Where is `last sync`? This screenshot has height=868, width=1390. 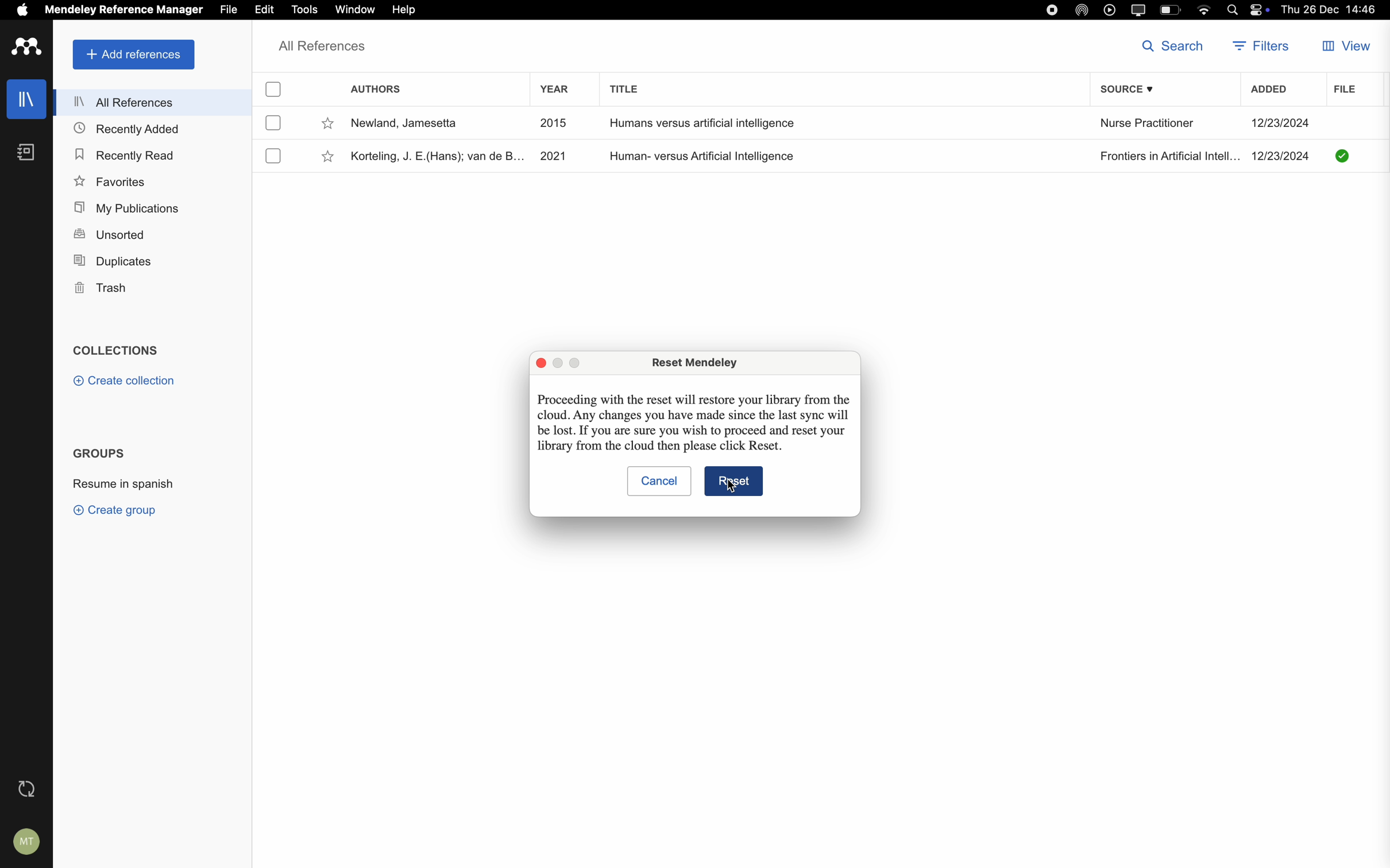
last sync is located at coordinates (25, 787).